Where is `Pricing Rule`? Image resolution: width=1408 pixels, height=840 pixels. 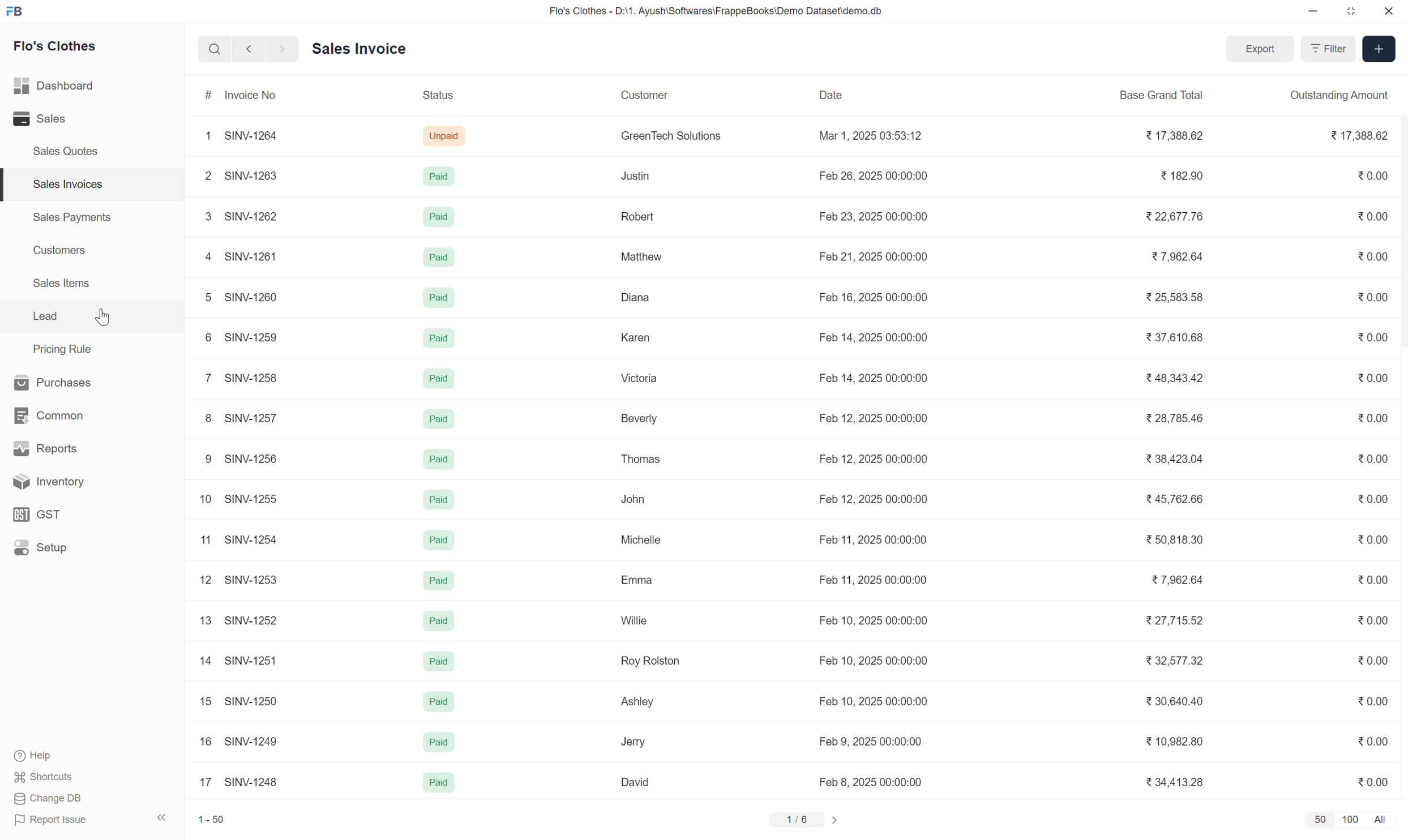
Pricing Rule is located at coordinates (61, 348).